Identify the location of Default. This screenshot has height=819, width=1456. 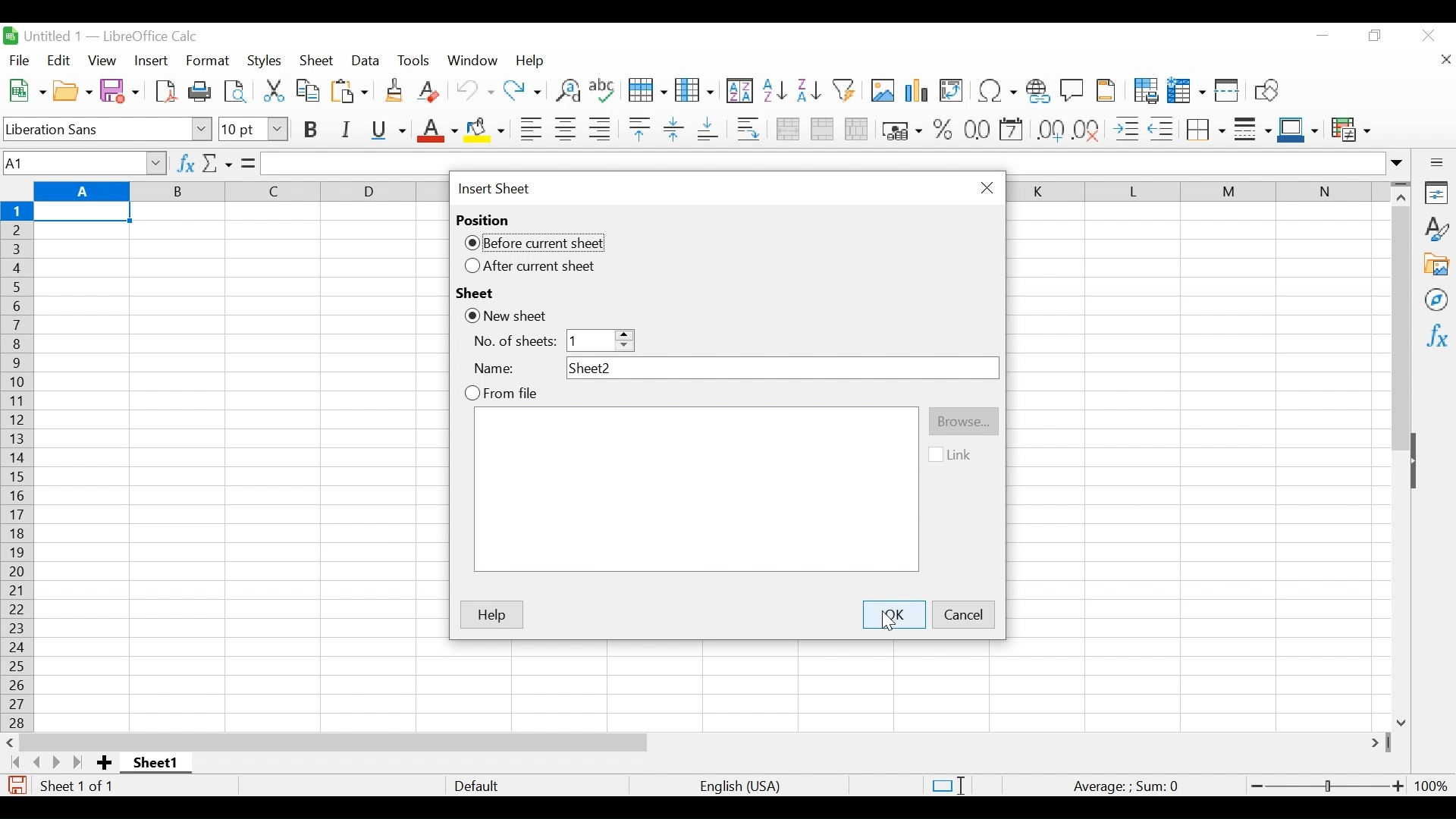
(476, 785).